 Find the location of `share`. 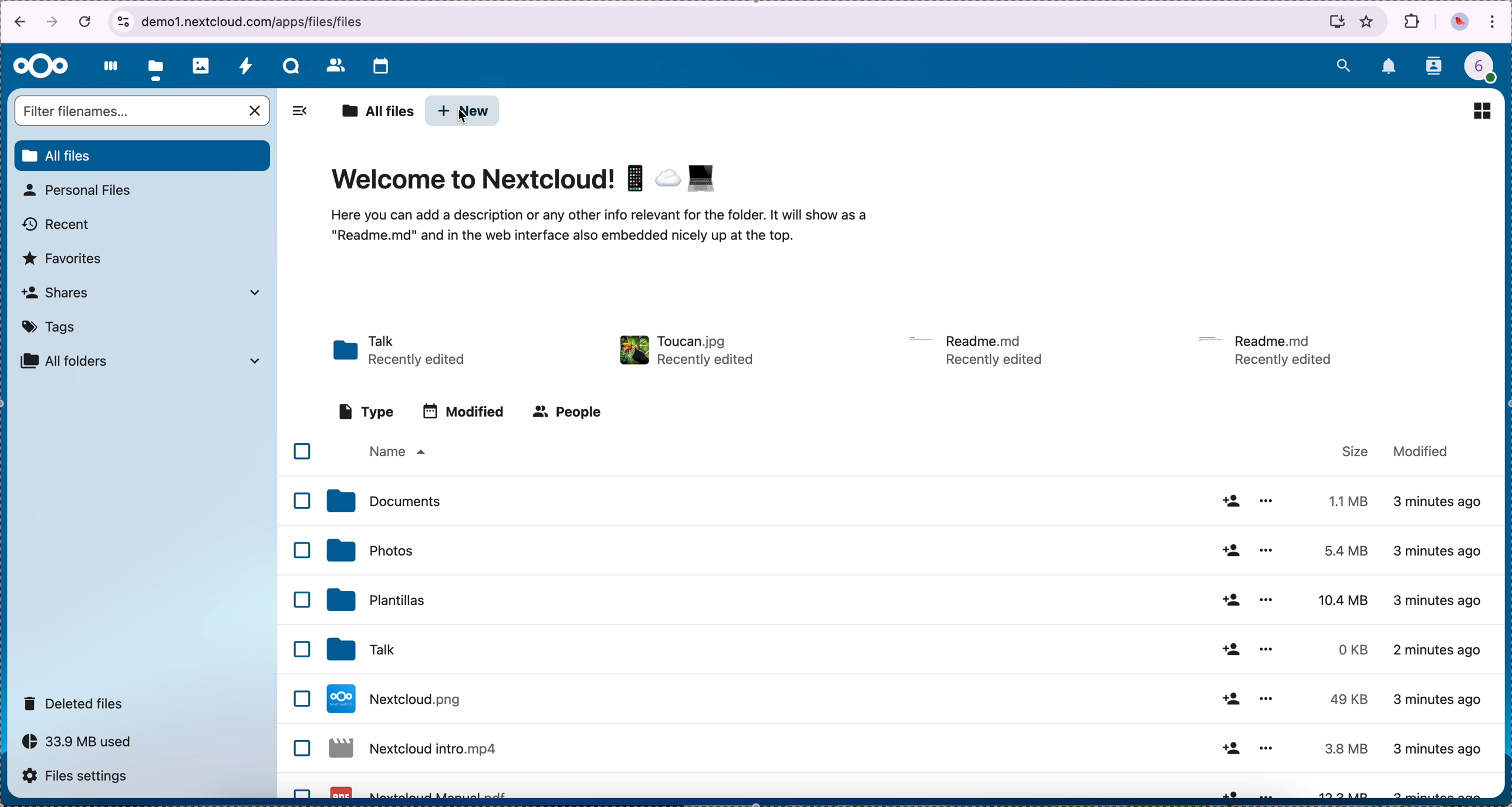

share is located at coordinates (1229, 549).